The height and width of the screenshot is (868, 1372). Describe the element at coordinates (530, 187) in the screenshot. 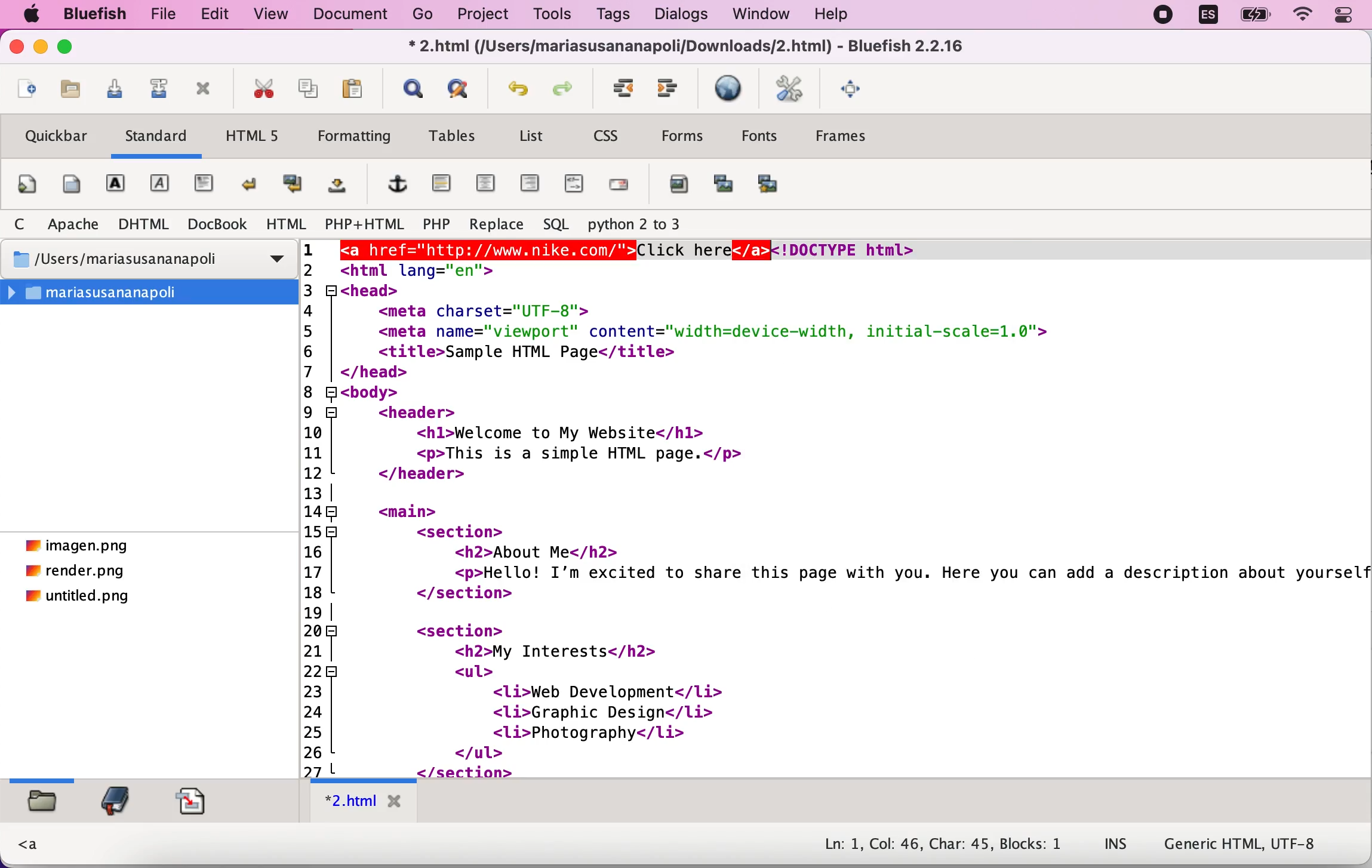

I see `right justify` at that location.